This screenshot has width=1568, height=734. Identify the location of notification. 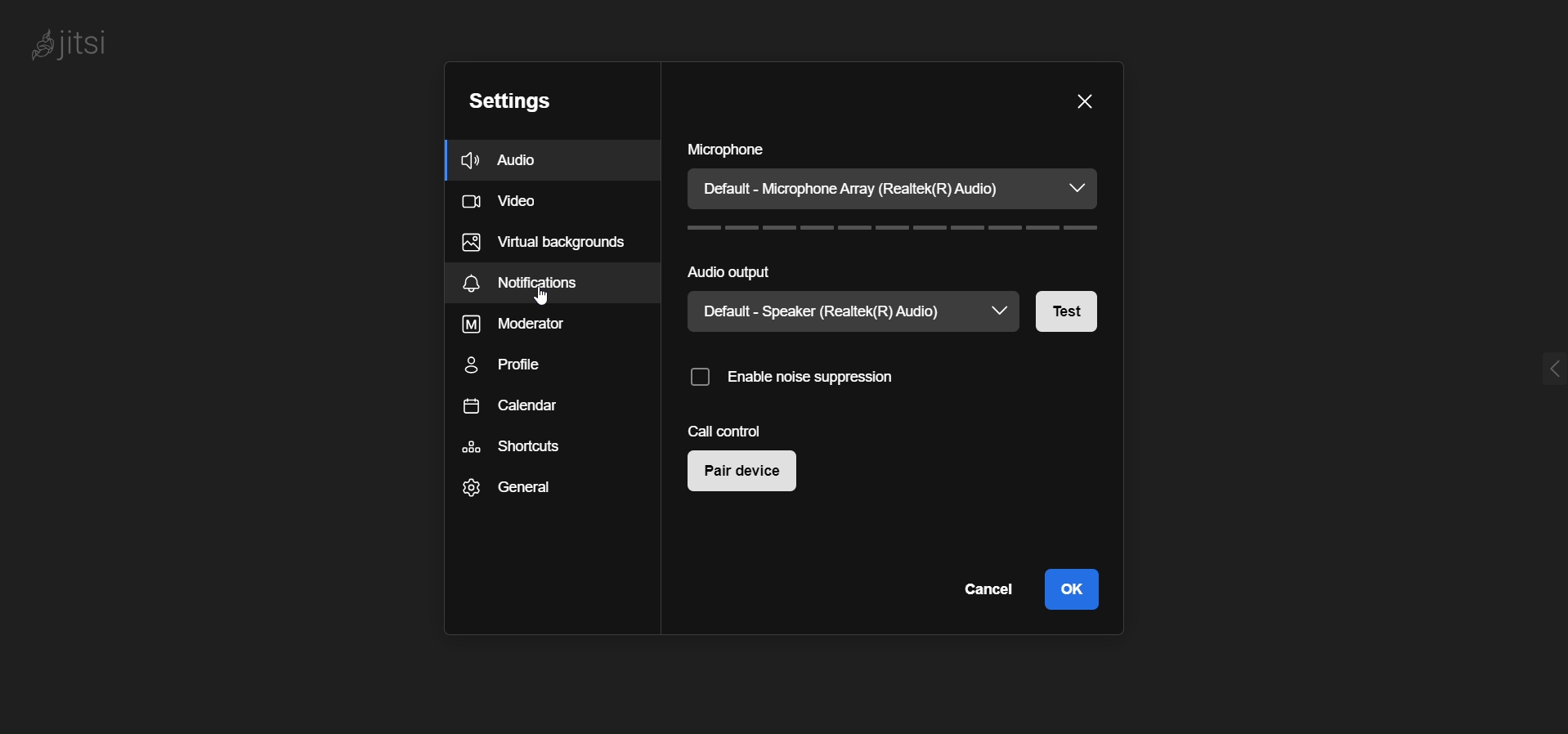
(538, 281).